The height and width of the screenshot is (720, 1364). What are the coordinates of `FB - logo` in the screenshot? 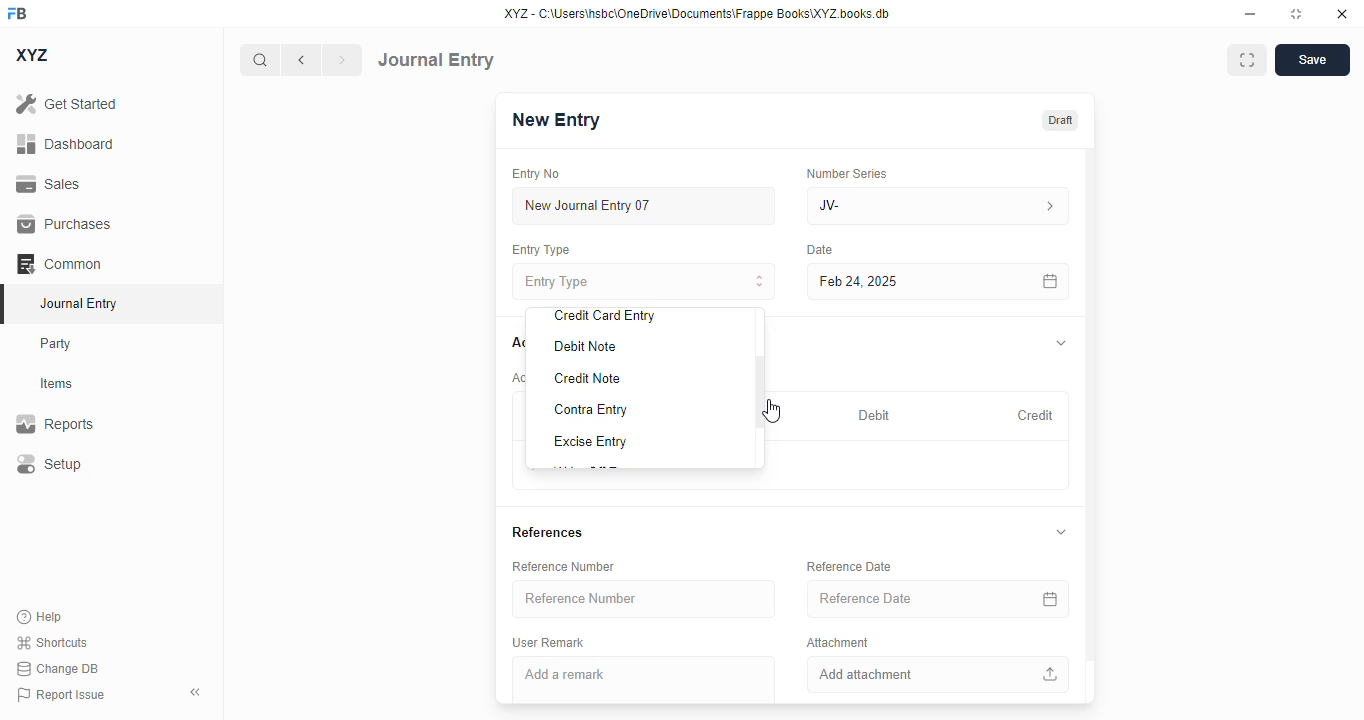 It's located at (17, 13).